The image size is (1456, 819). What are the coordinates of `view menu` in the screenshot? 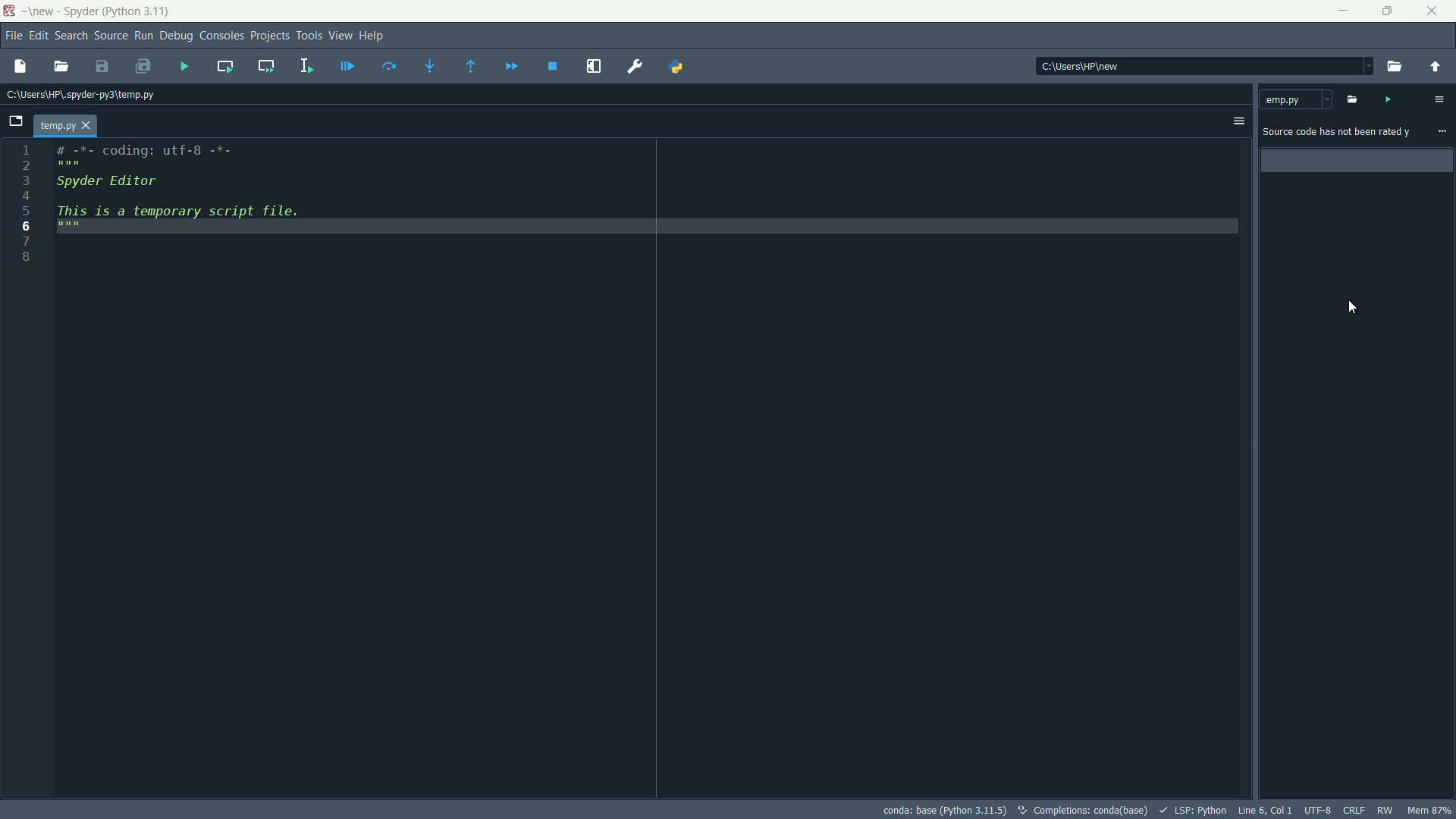 It's located at (340, 35).